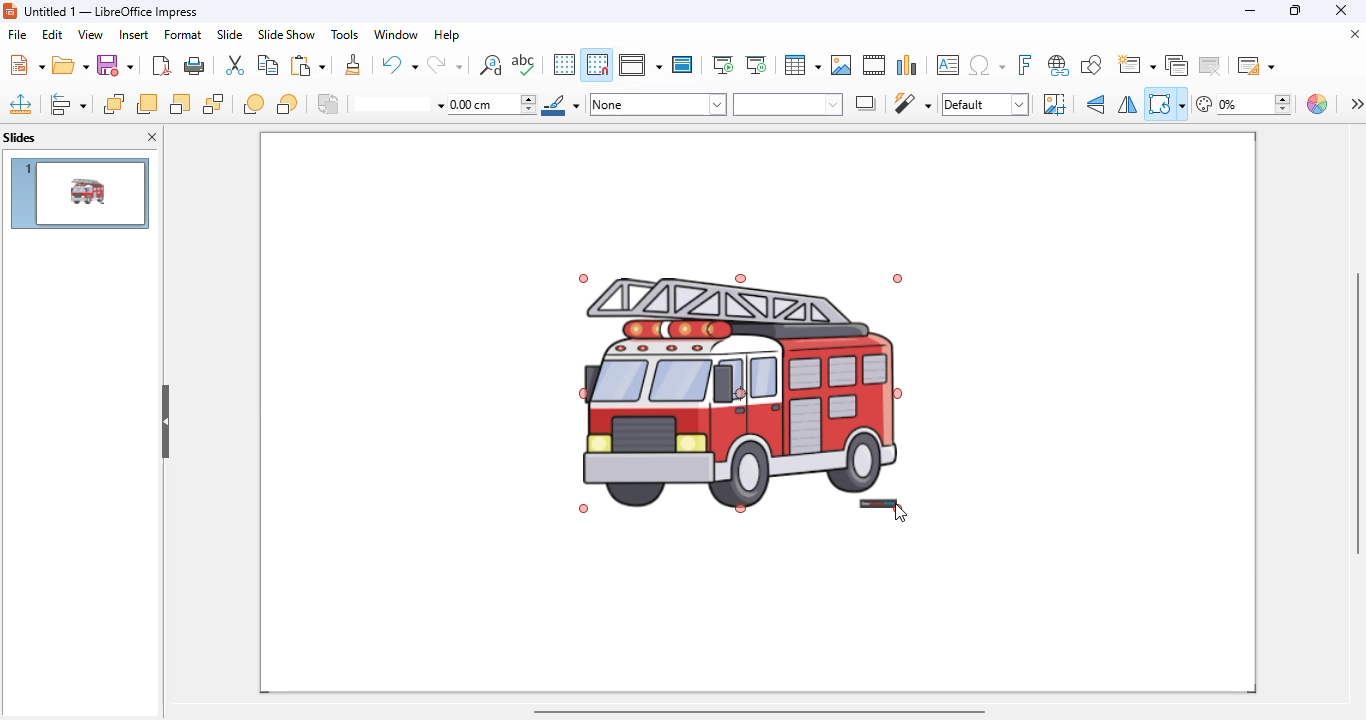 This screenshot has height=720, width=1366. What do you see at coordinates (1054, 104) in the screenshot?
I see `crop image` at bounding box center [1054, 104].